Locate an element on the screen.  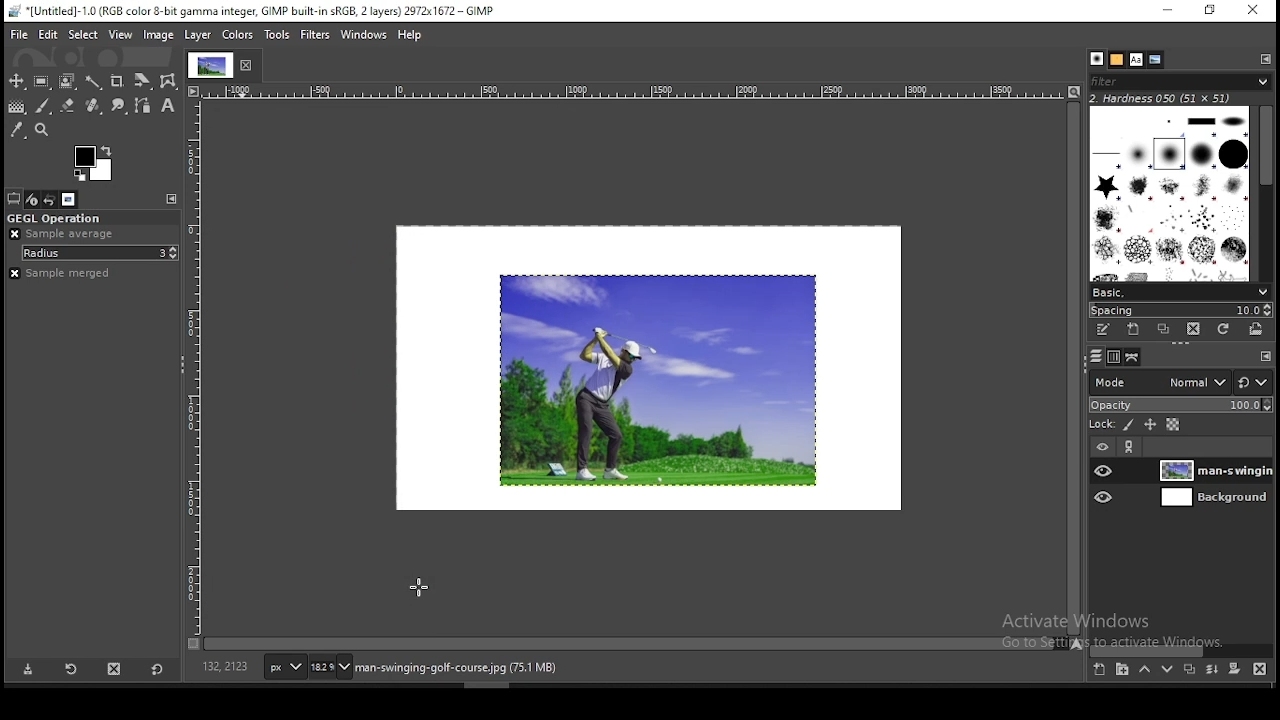
brushes is located at coordinates (1095, 58).